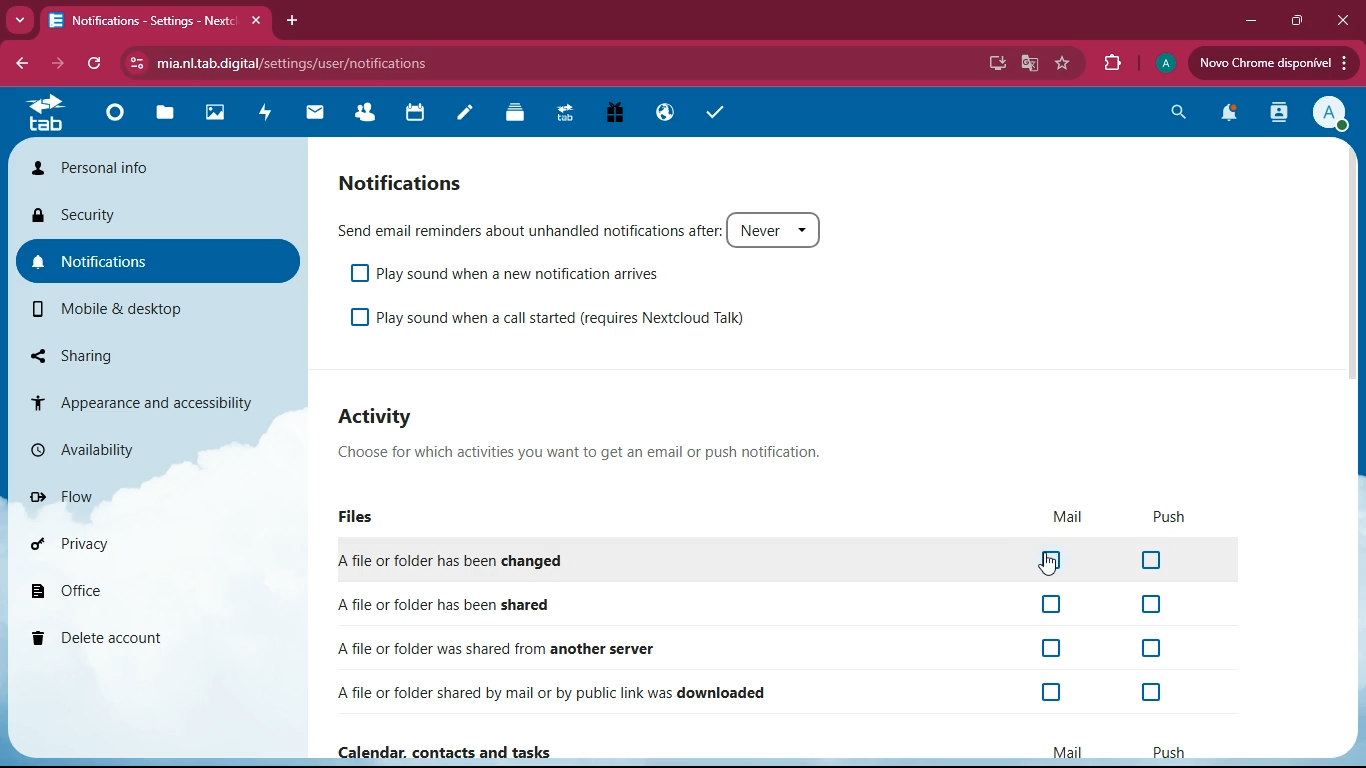 This screenshot has width=1366, height=768. I want to click on password, so click(968, 65).